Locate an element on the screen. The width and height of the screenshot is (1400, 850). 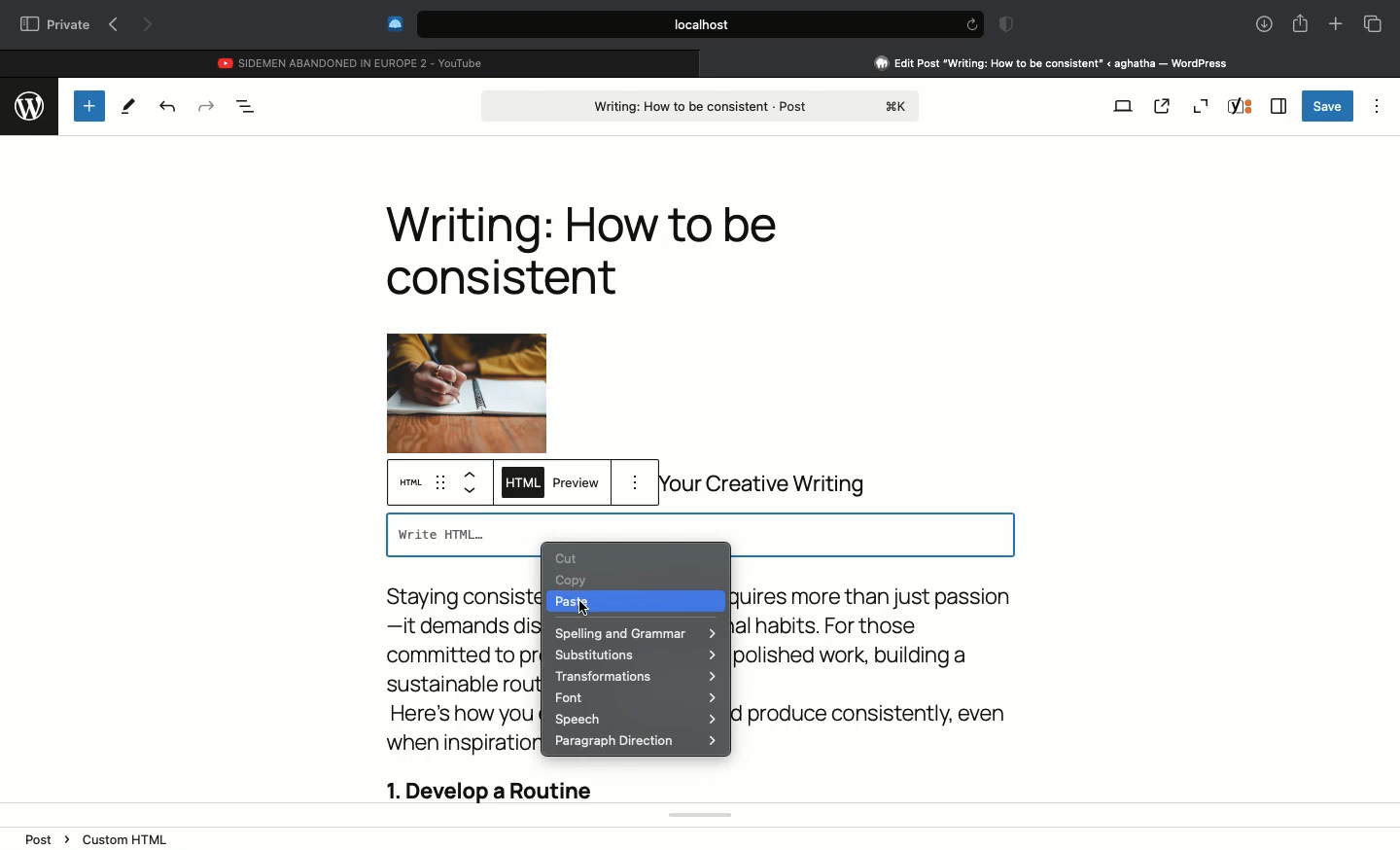
Previous page is located at coordinates (113, 25).